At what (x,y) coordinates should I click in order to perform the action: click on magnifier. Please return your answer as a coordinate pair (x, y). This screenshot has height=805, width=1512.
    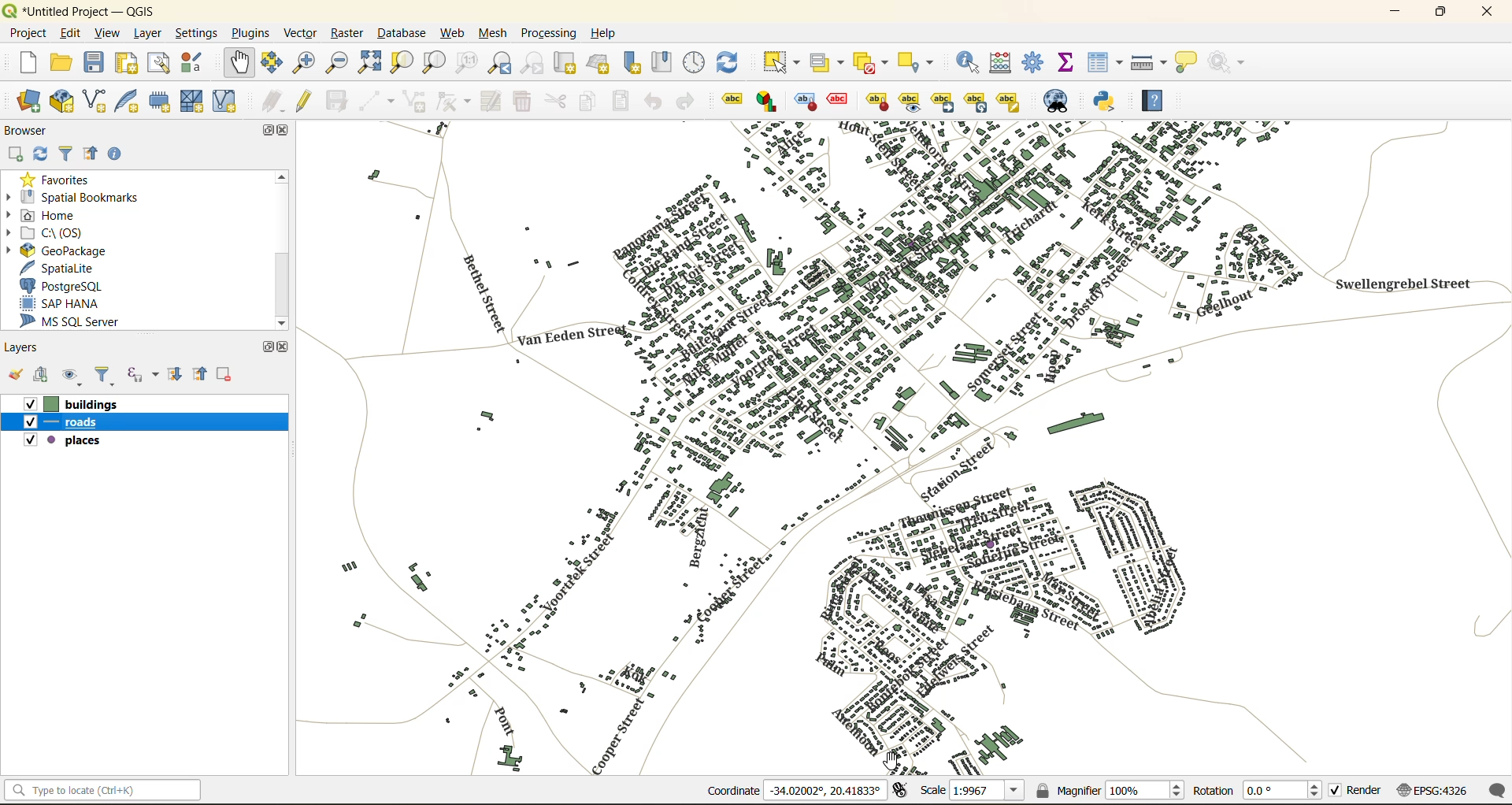
    Looking at the image, I should click on (1108, 790).